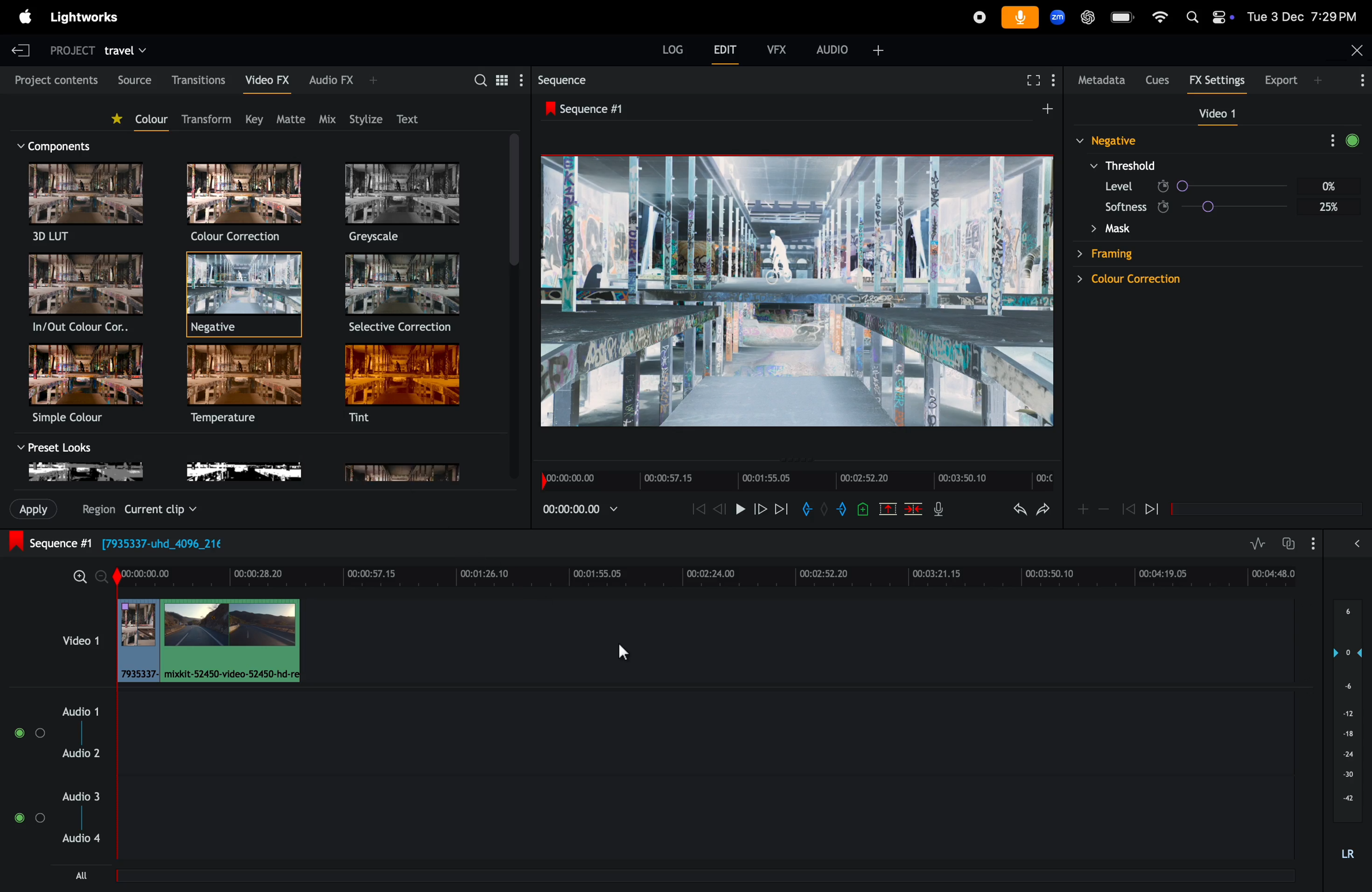  I want to click on color correction, so click(1183, 165).